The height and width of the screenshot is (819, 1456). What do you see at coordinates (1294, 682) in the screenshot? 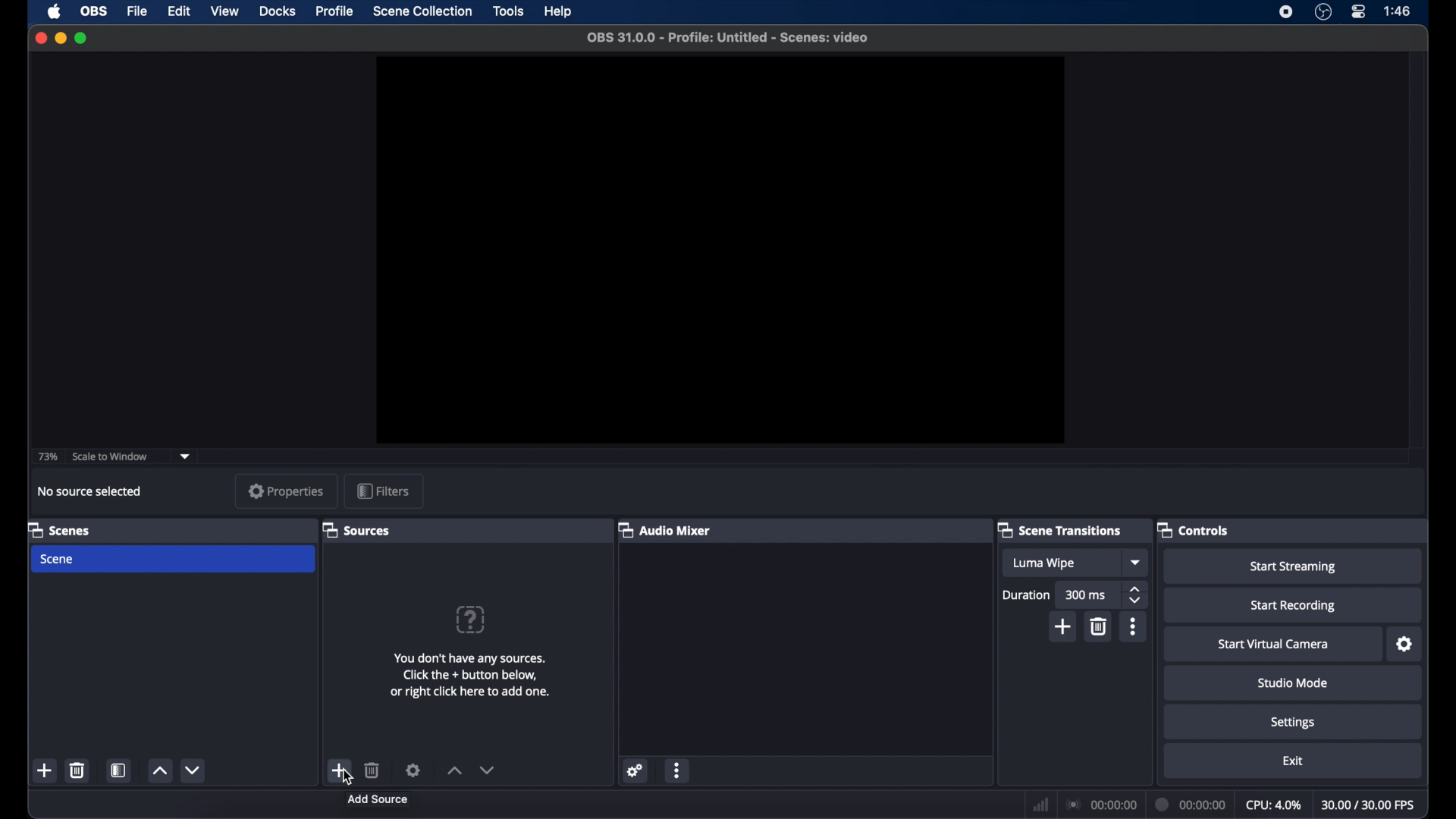
I see `studio mode` at bounding box center [1294, 682].